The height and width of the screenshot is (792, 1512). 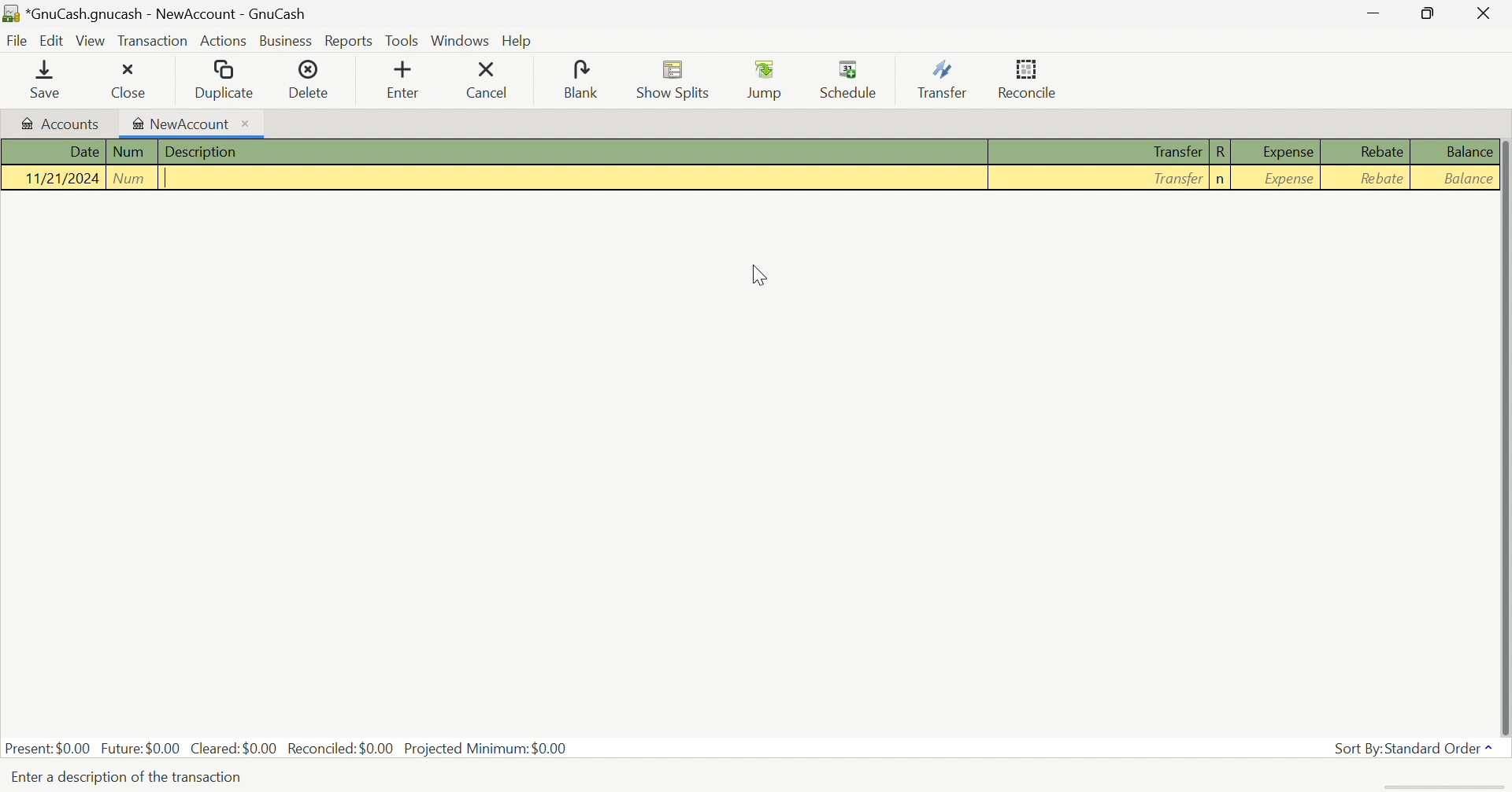 What do you see at coordinates (349, 43) in the screenshot?
I see `Reports` at bounding box center [349, 43].